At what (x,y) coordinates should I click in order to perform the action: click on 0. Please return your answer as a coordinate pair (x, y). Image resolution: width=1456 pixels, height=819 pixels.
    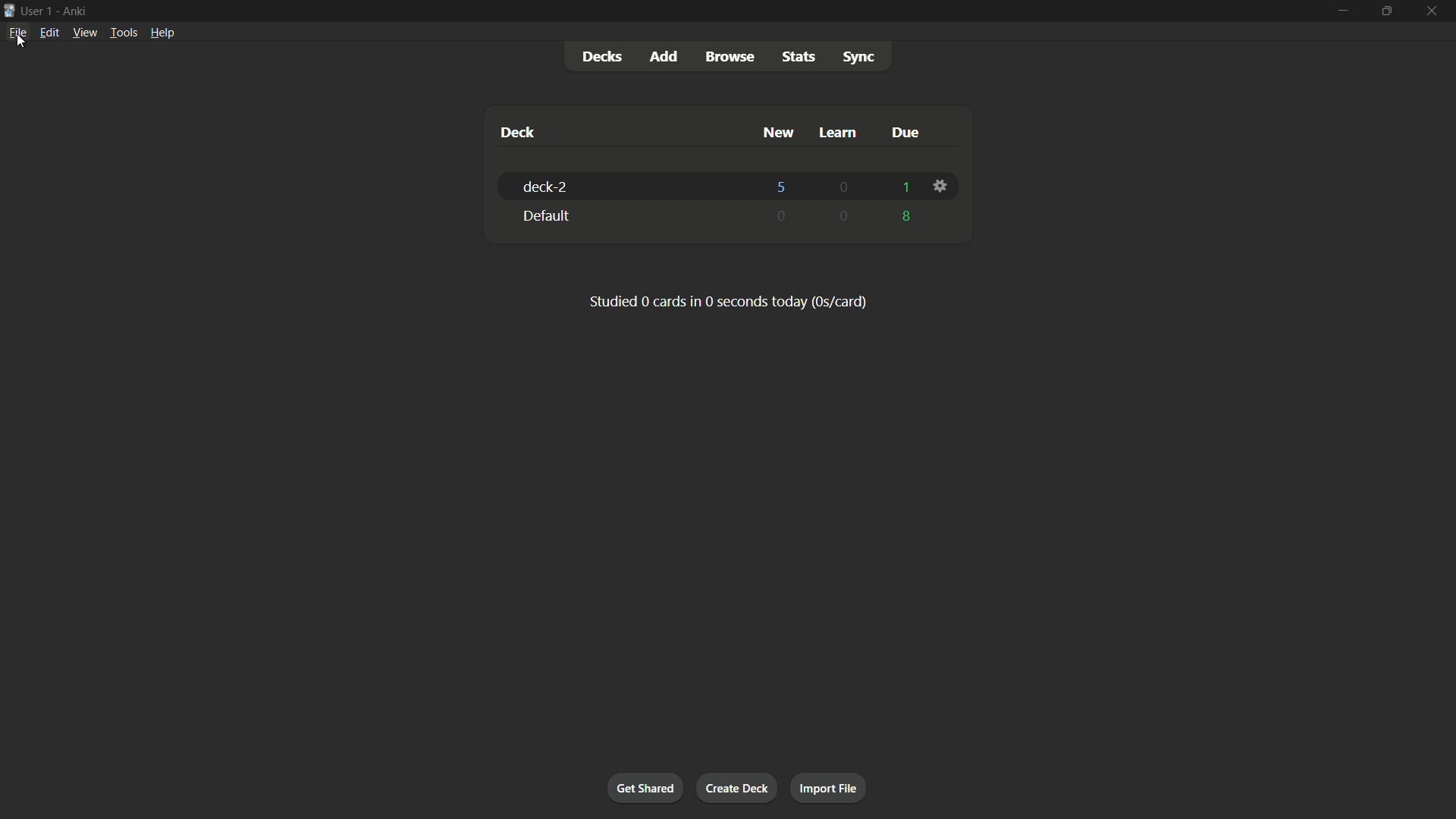
    Looking at the image, I should click on (783, 215).